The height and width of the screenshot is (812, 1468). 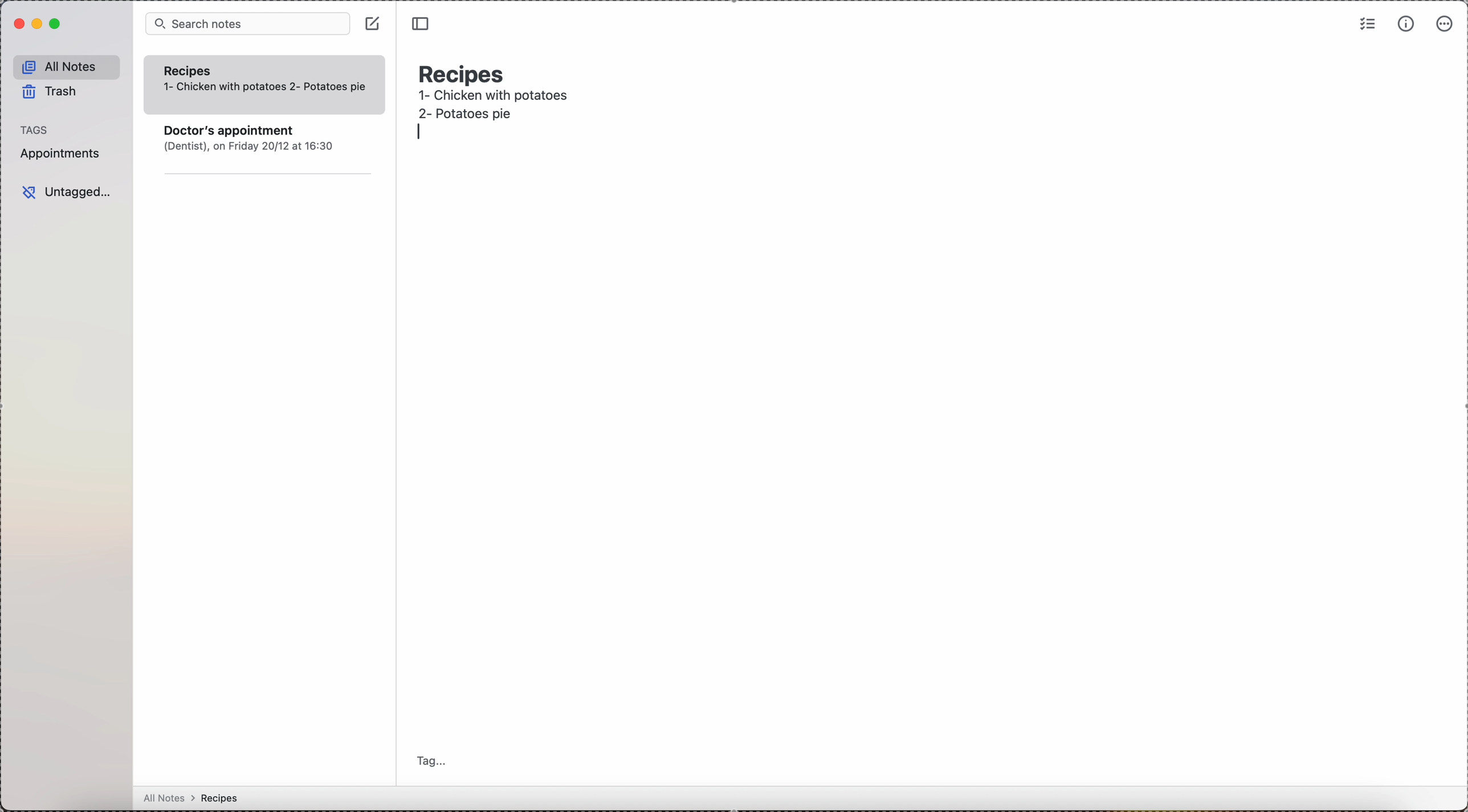 What do you see at coordinates (38, 25) in the screenshot?
I see `minimize` at bounding box center [38, 25].